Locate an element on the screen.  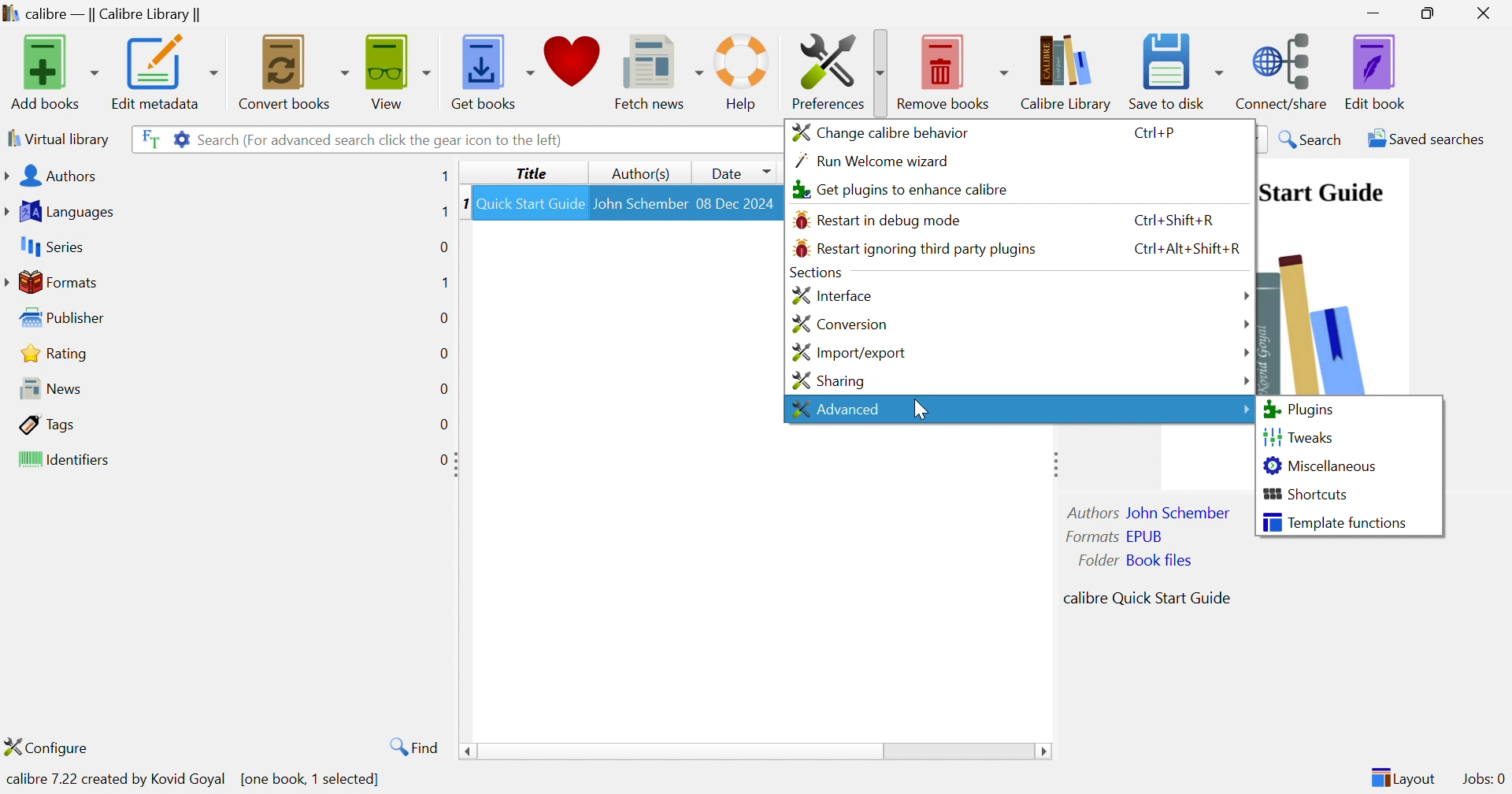
Drop Down is located at coordinates (1246, 325).